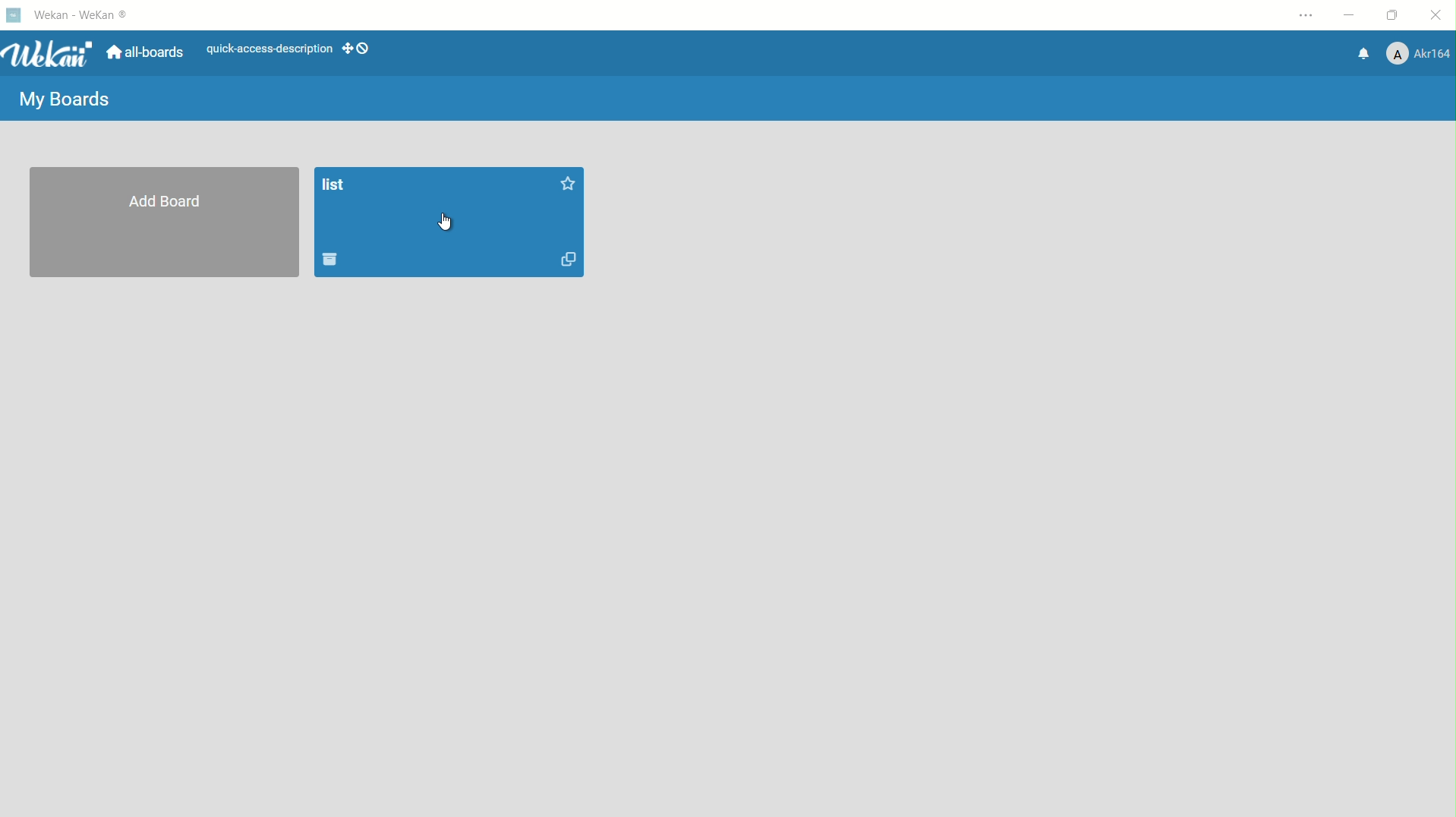  Describe the element at coordinates (335, 185) in the screenshot. I see `board name` at that location.